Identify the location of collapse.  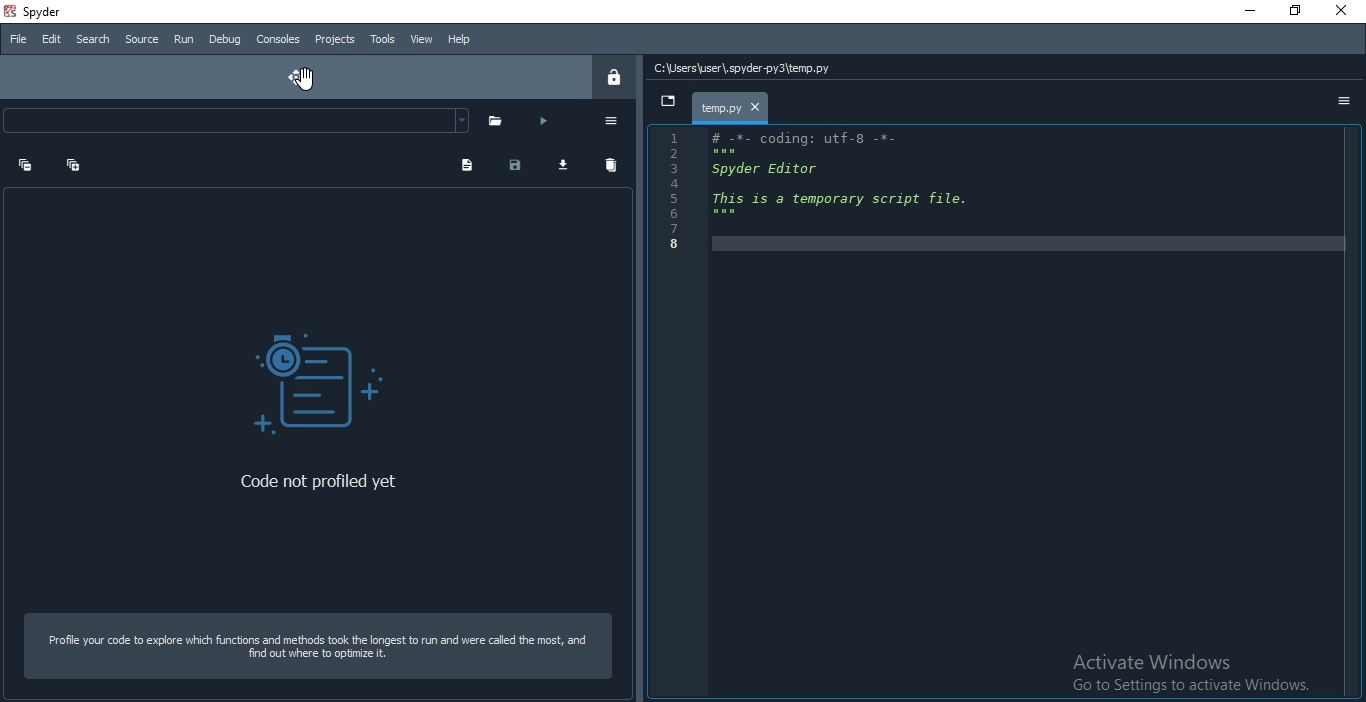
(75, 162).